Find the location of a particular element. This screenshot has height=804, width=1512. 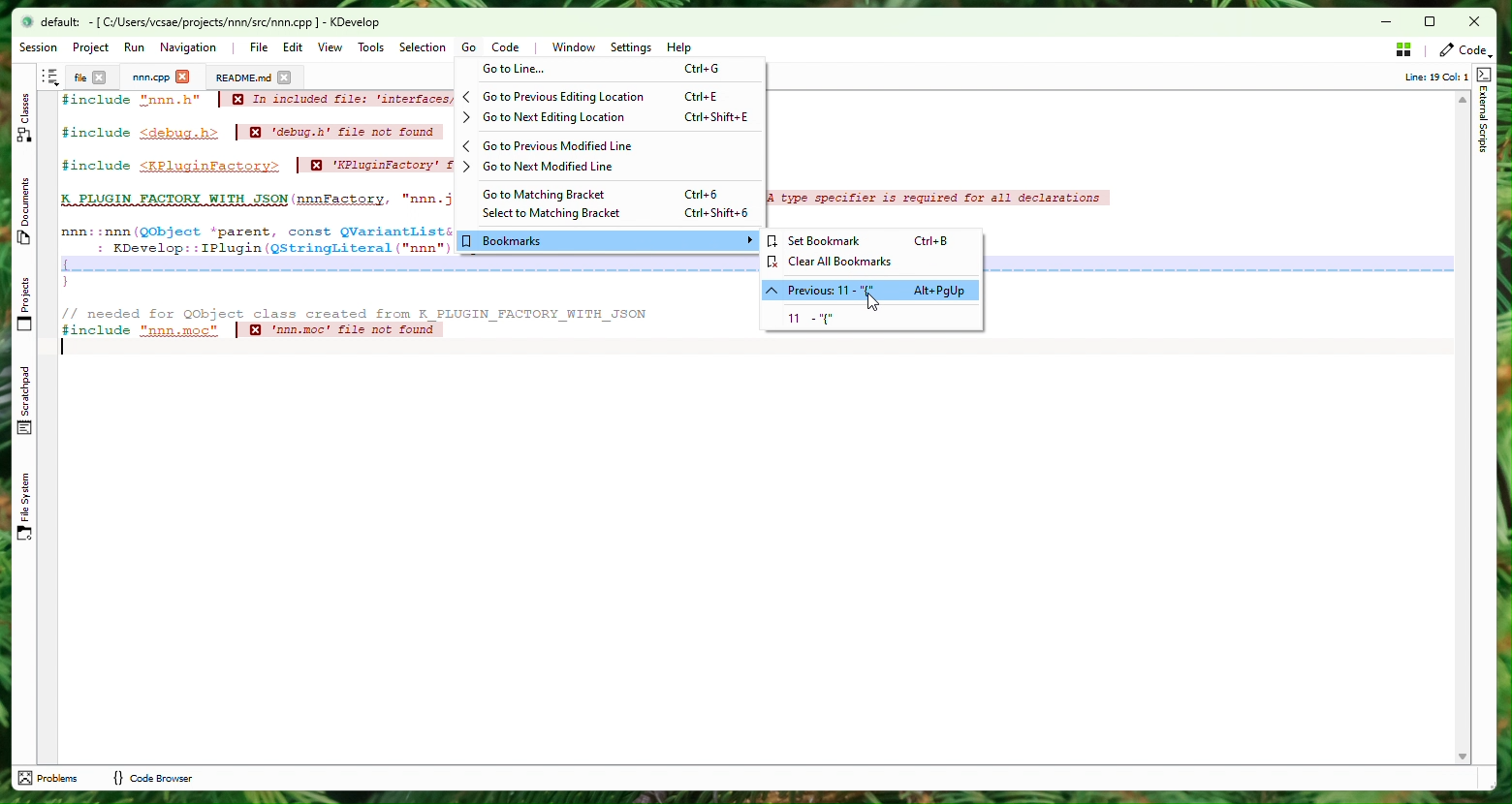

Set bookmark is located at coordinates (865, 242).